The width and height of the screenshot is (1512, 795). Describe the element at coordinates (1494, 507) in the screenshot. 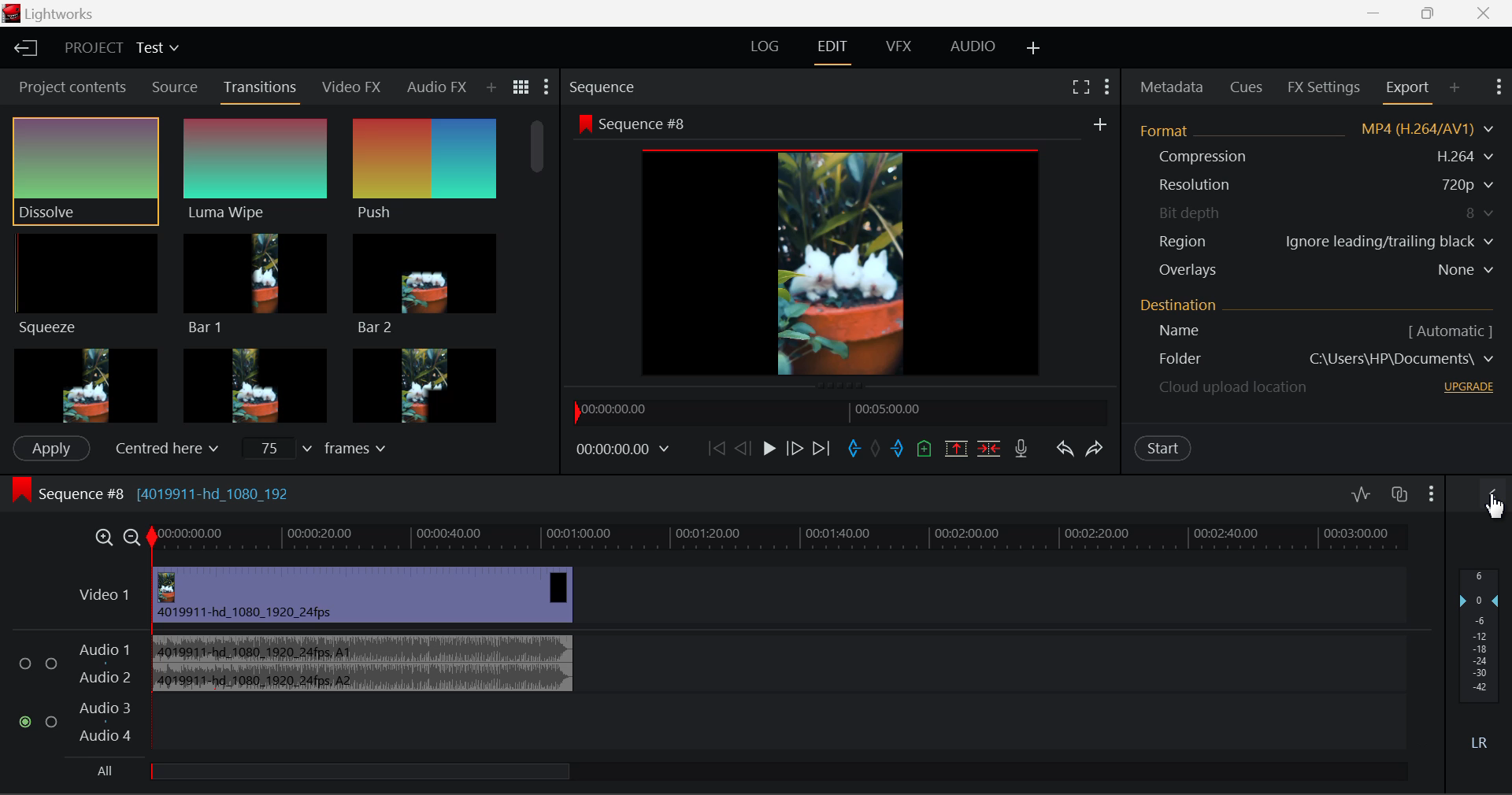

I see `cursor` at that location.